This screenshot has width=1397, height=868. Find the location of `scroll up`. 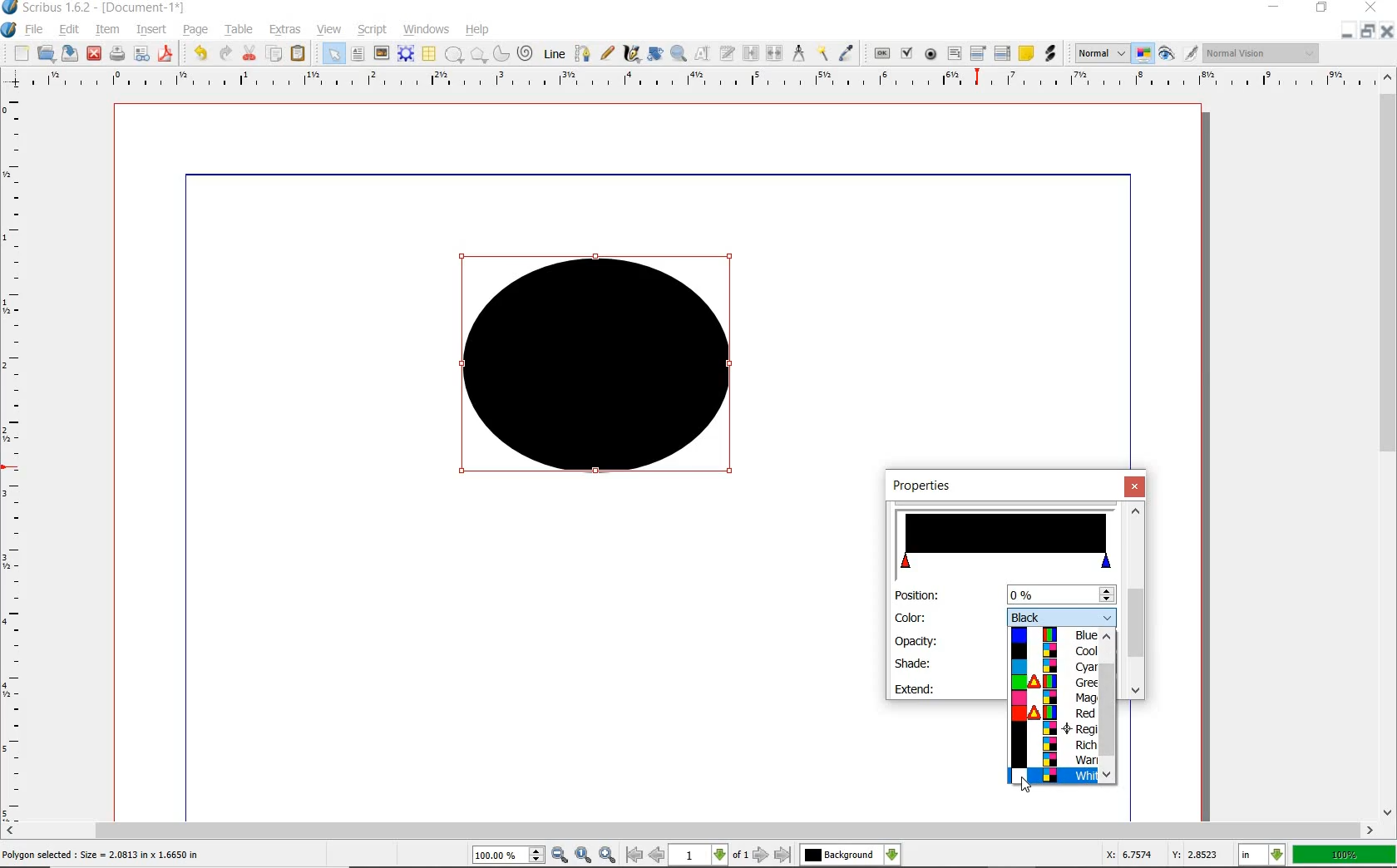

scroll up is located at coordinates (1108, 640).